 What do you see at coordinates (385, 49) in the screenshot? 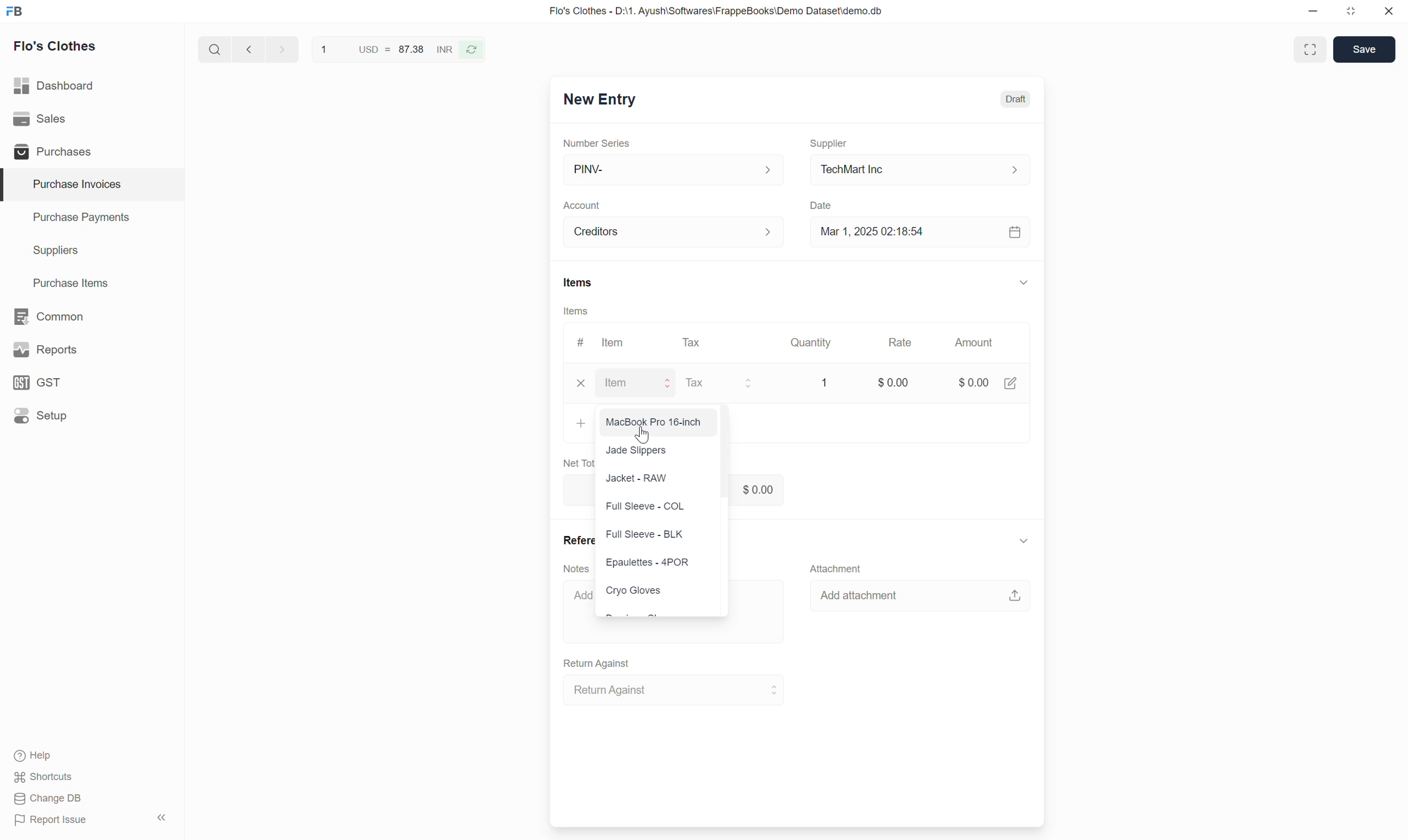
I see `1 USD = 87.38 INR` at bounding box center [385, 49].